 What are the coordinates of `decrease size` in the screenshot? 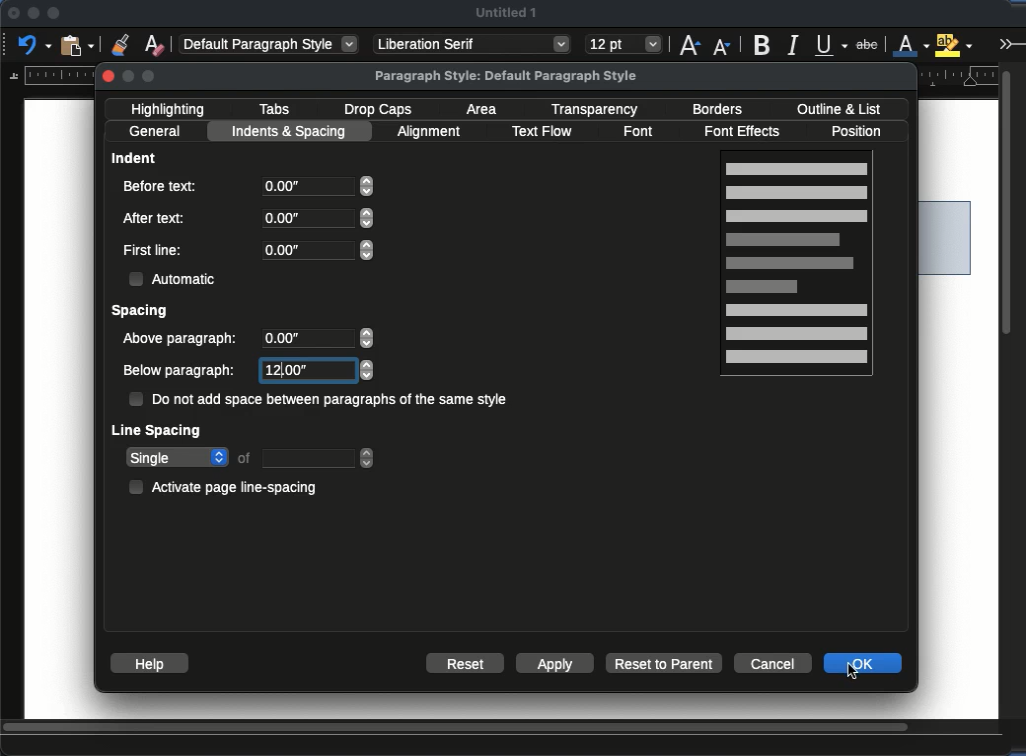 It's located at (723, 45).